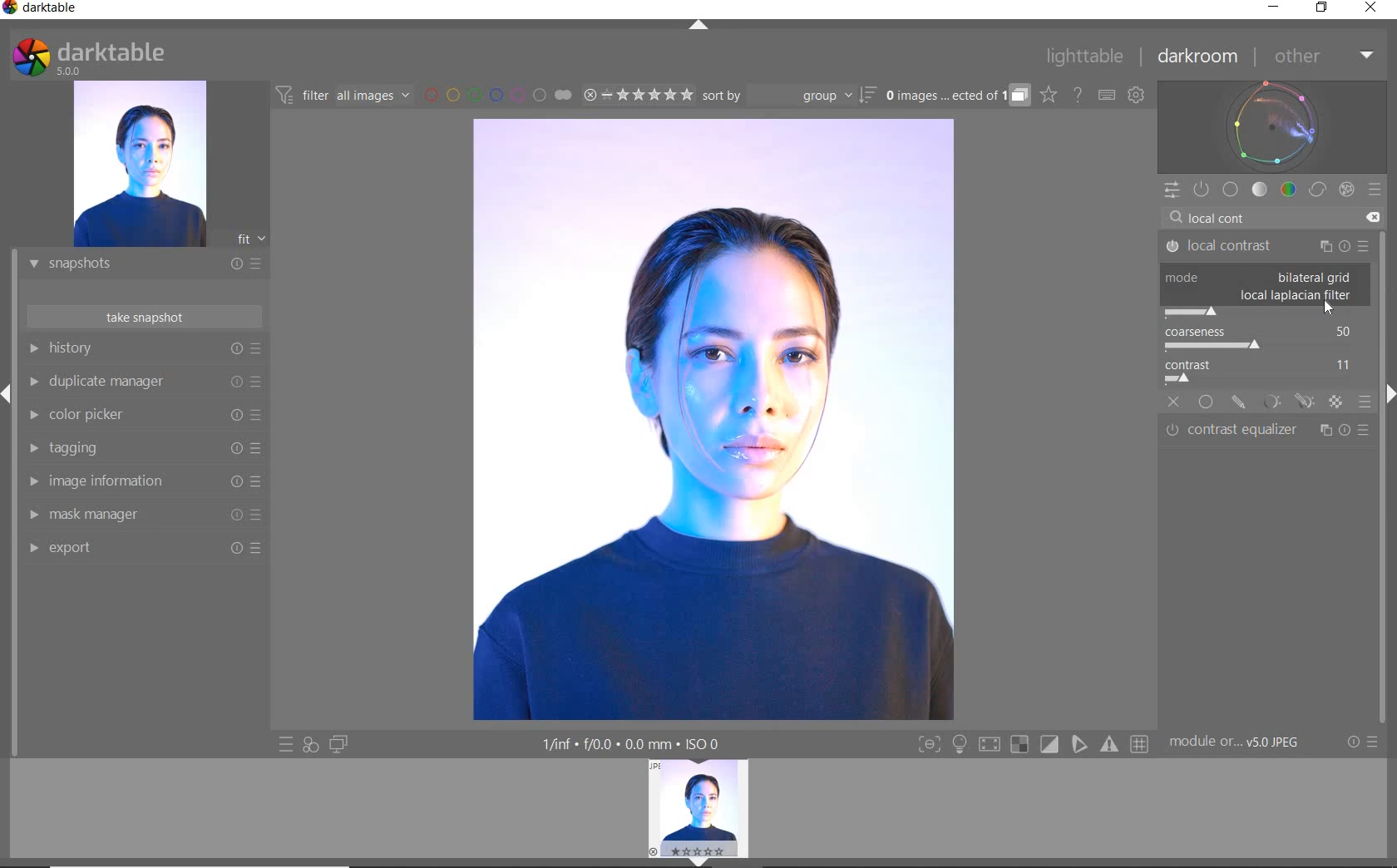 The height and width of the screenshot is (868, 1397). What do you see at coordinates (1388, 392) in the screenshot?
I see `Expand/Collapse` at bounding box center [1388, 392].